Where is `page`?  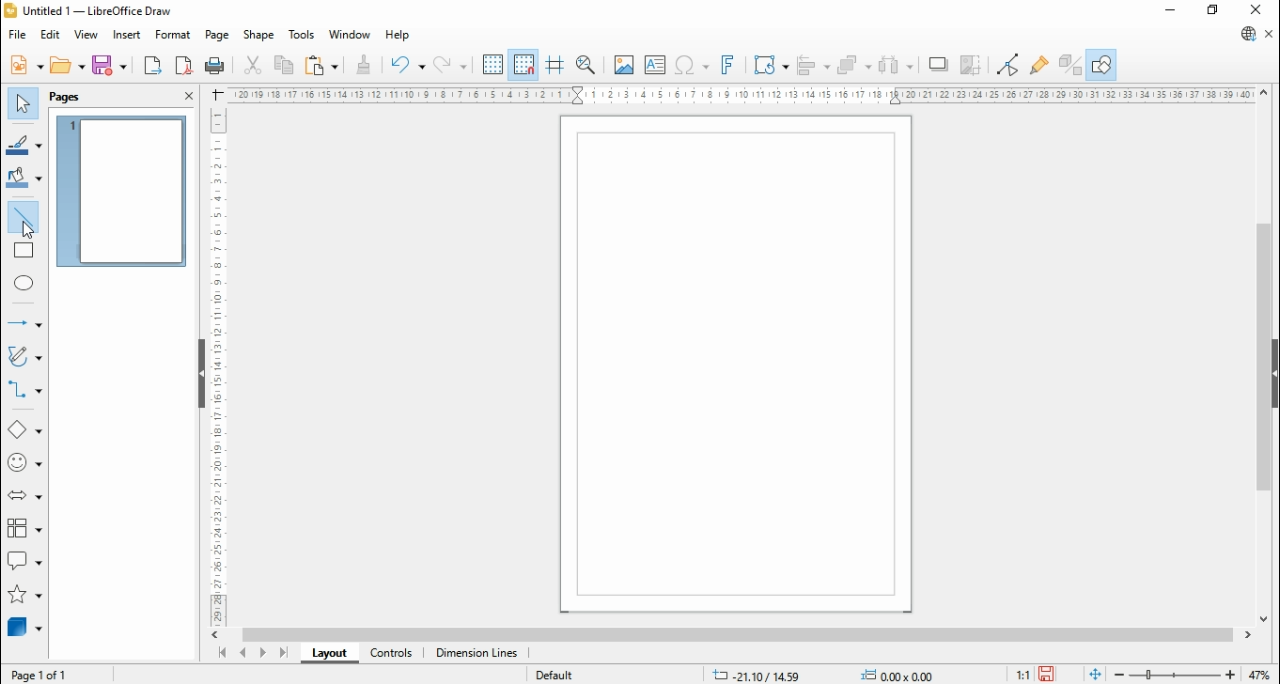 page is located at coordinates (65, 98).